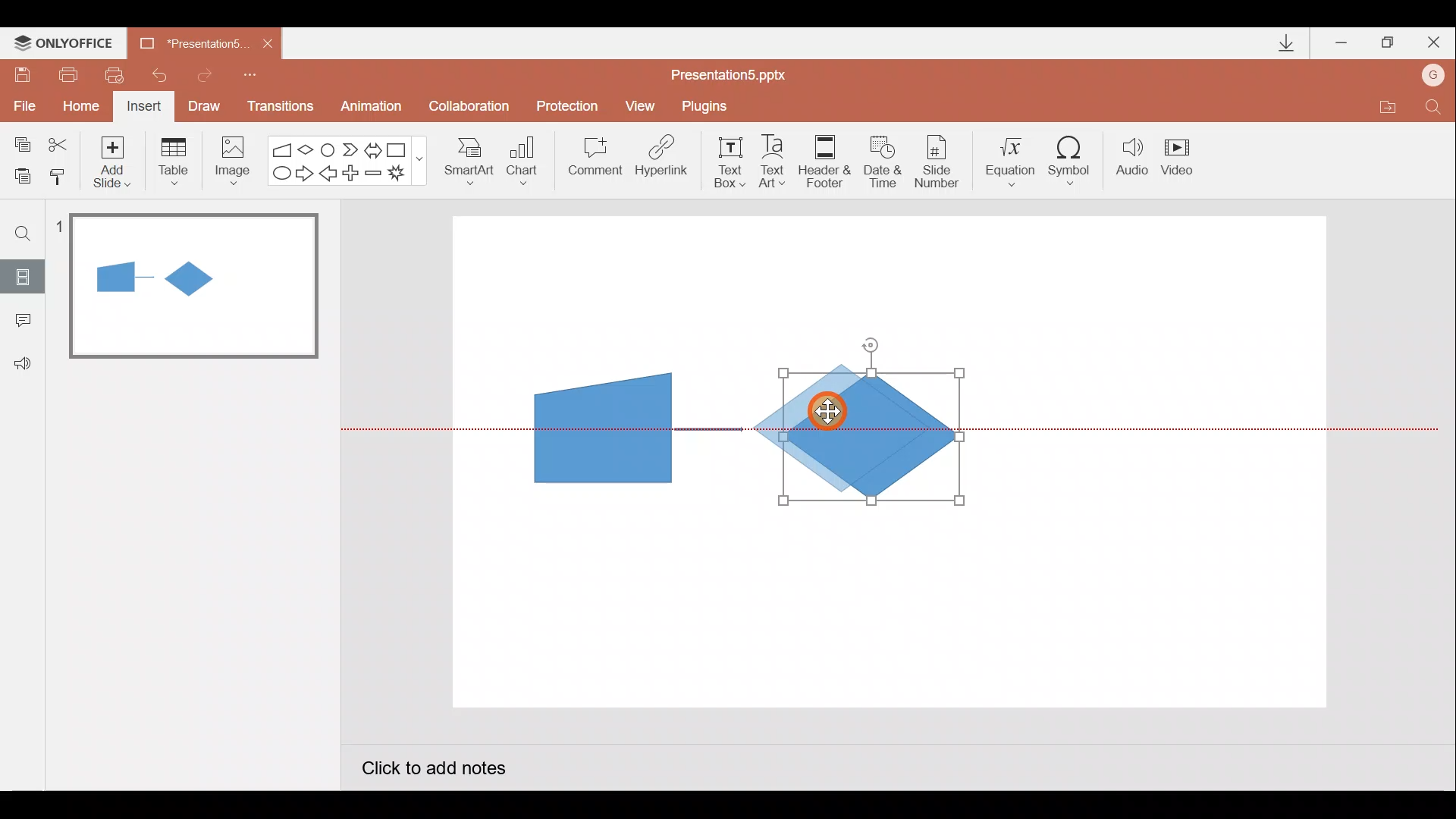  Describe the element at coordinates (463, 160) in the screenshot. I see `SmartArt` at that location.